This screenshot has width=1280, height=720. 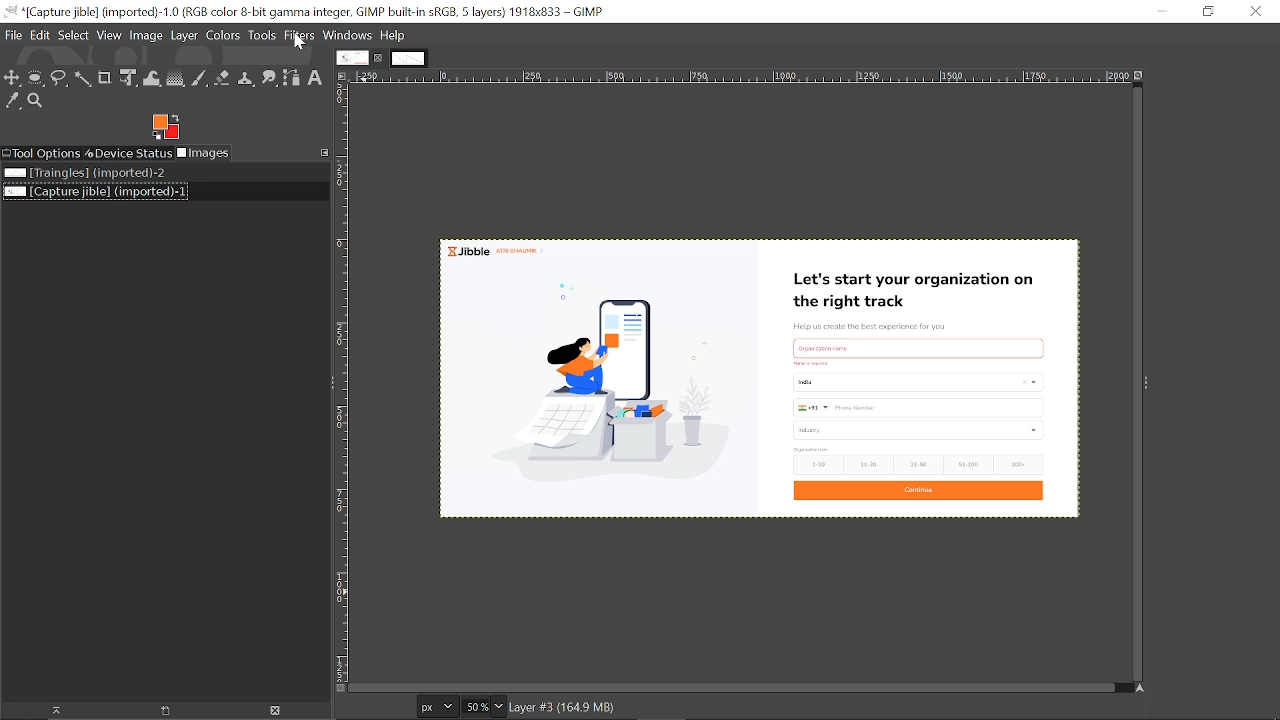 I want to click on Current image, so click(x=597, y=390).